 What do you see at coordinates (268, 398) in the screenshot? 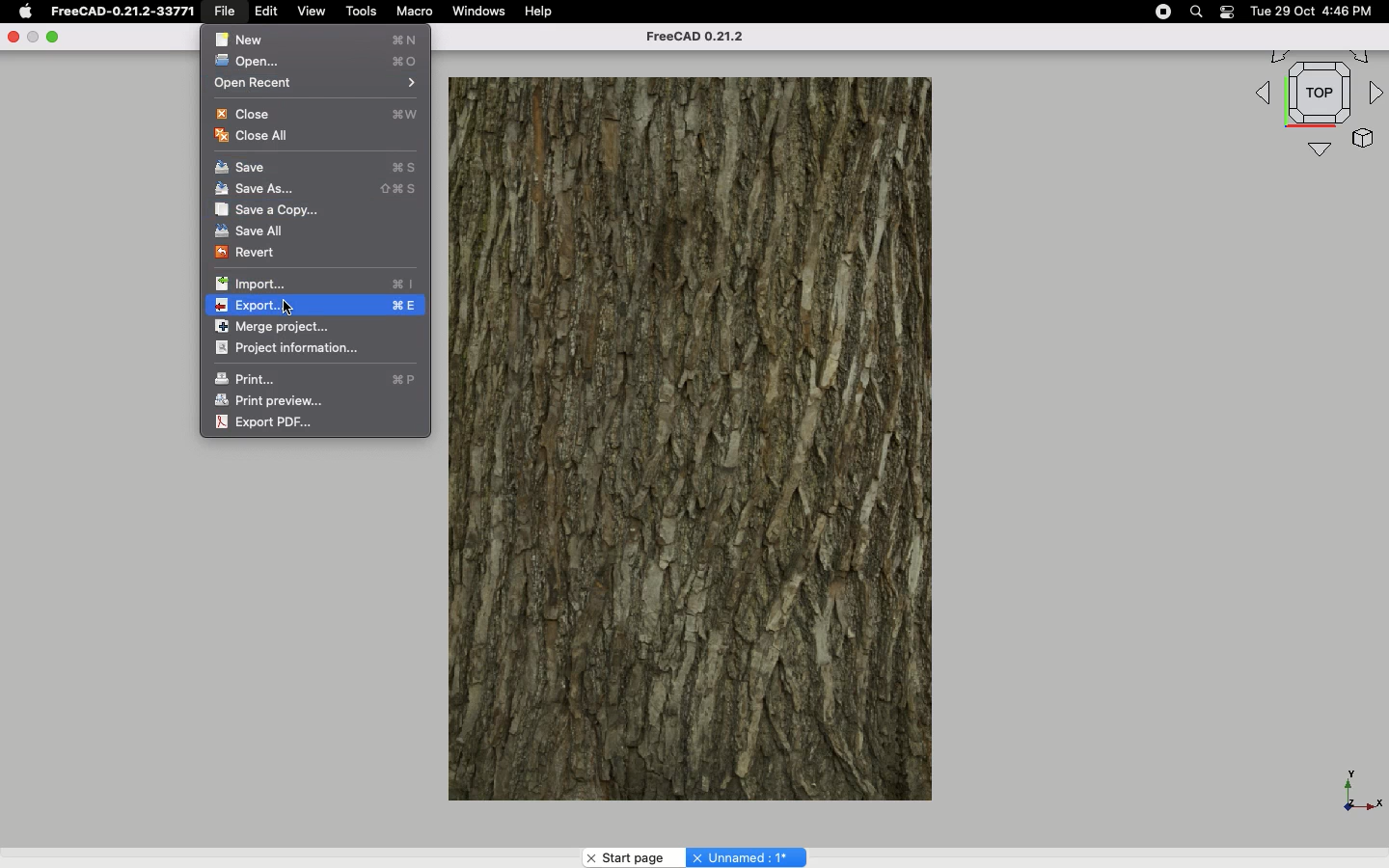
I see `Print preview` at bounding box center [268, 398].